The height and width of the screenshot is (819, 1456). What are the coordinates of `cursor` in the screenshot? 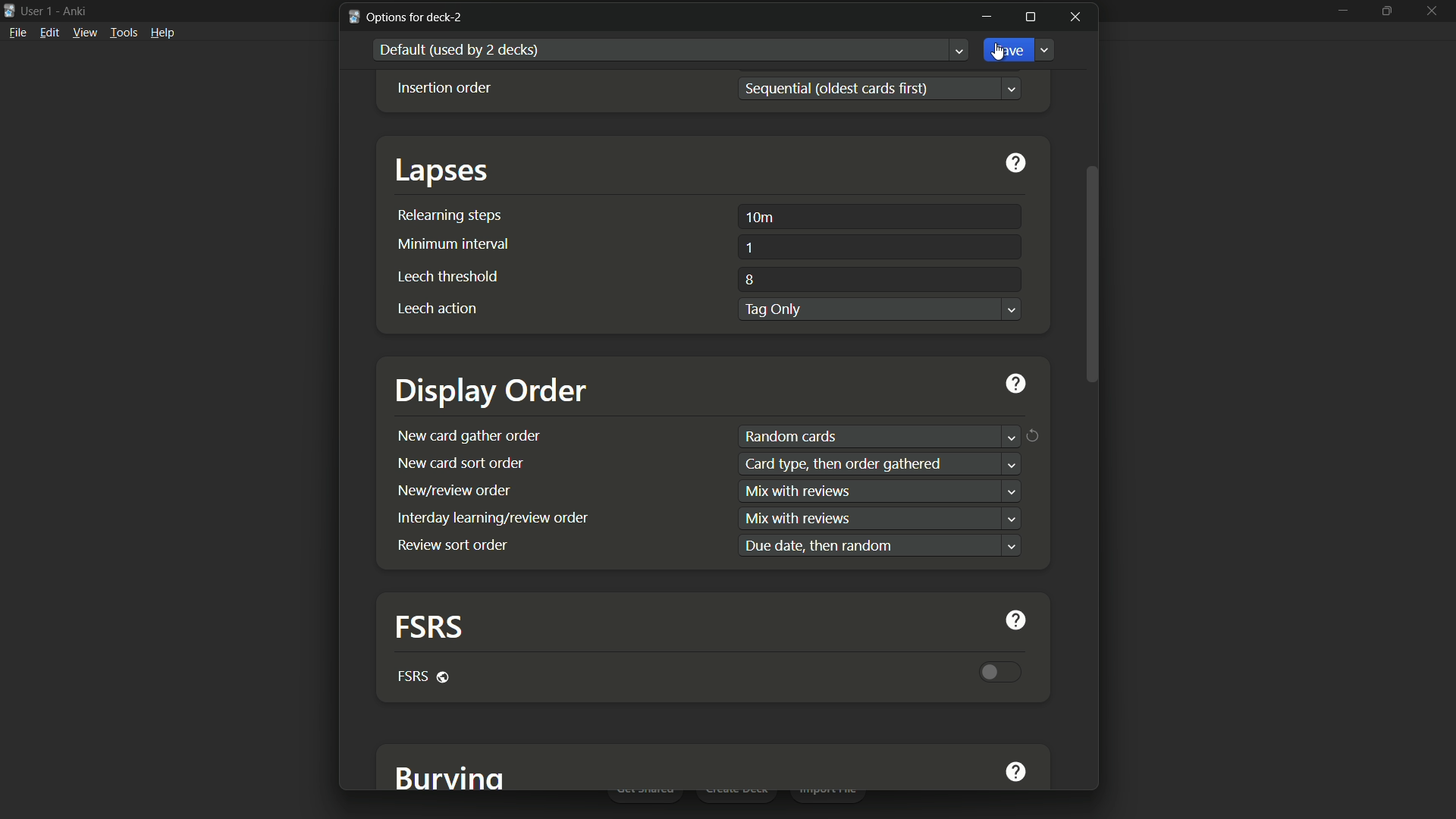 It's located at (999, 55).